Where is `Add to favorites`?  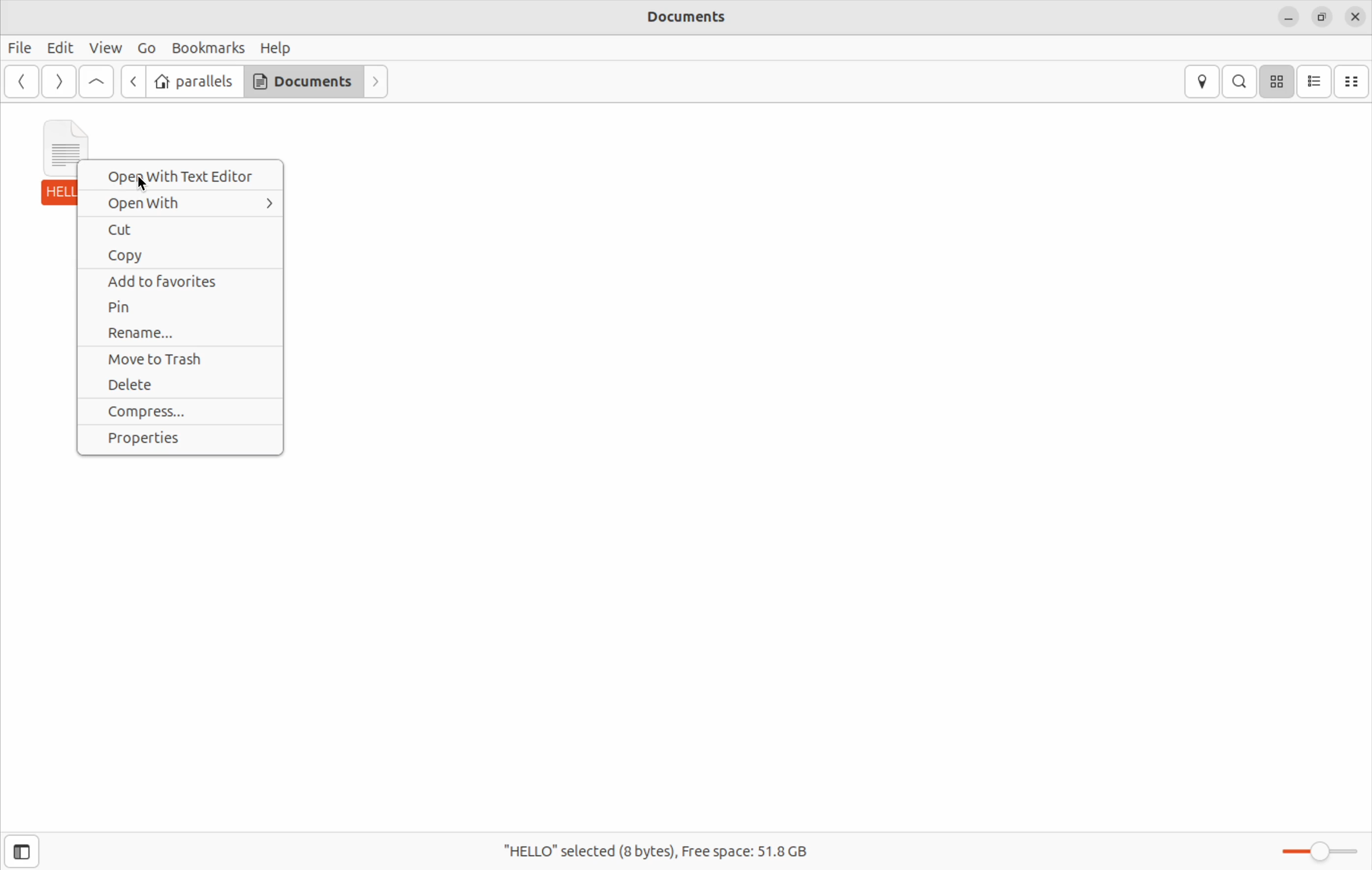 Add to favorites is located at coordinates (181, 281).